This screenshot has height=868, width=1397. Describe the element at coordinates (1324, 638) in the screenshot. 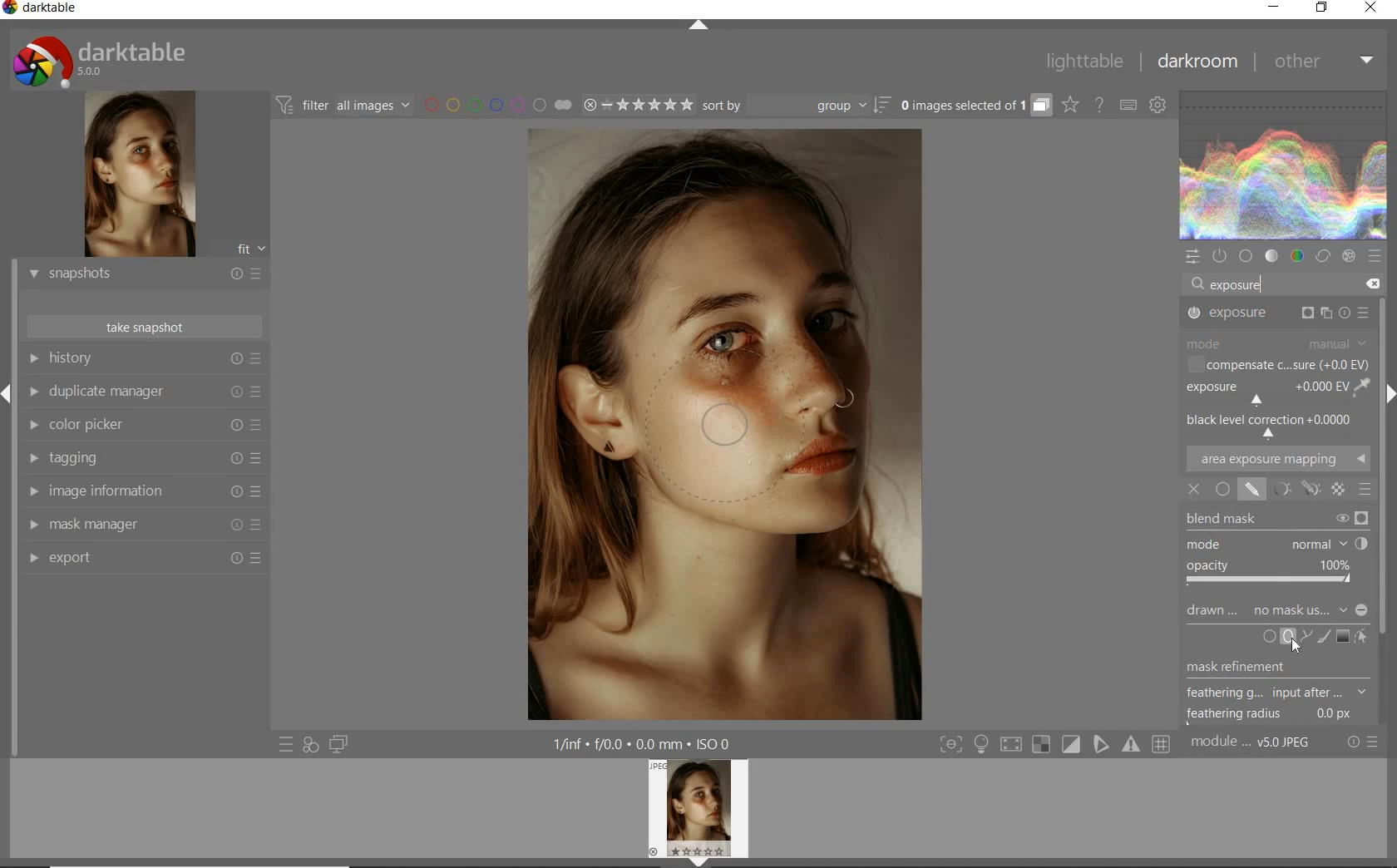

I see `ADD BRUSH` at that location.